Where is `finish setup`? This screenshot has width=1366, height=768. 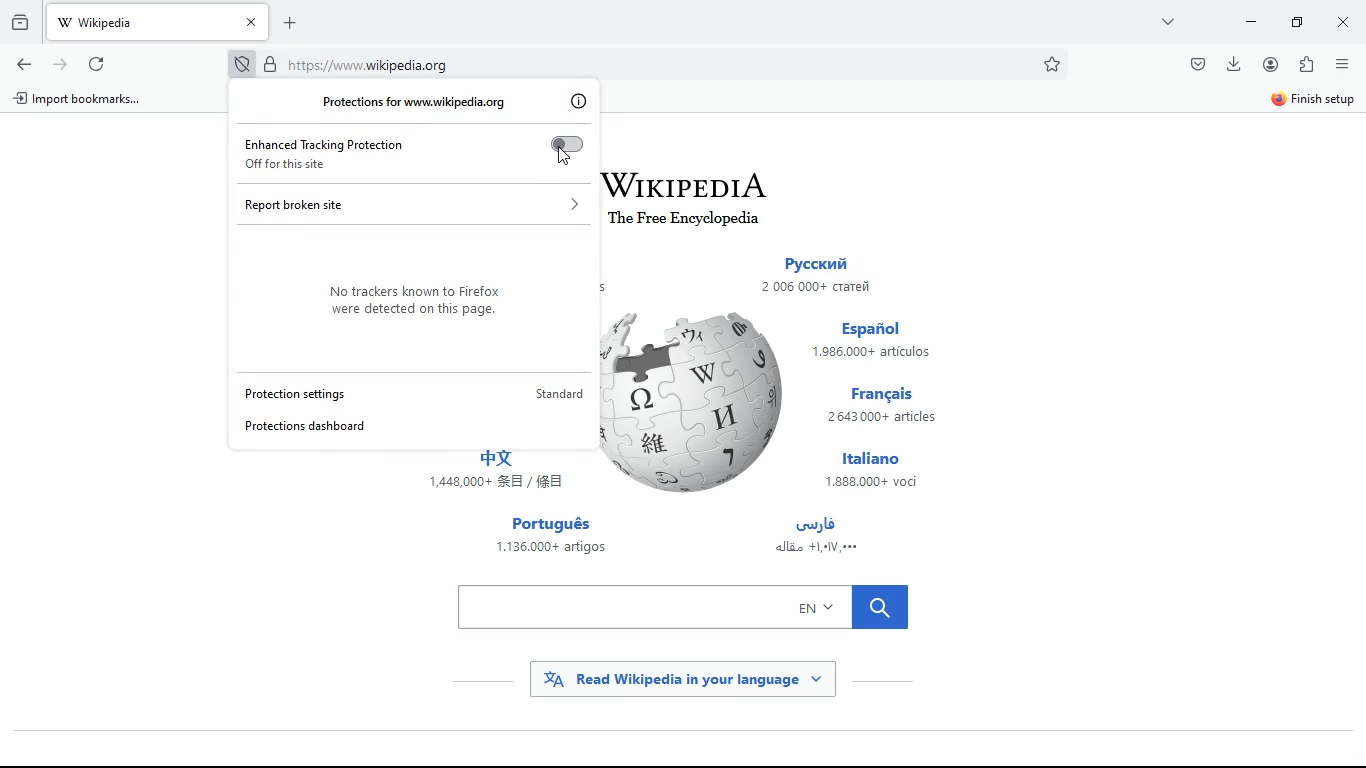
finish setup is located at coordinates (1316, 98).